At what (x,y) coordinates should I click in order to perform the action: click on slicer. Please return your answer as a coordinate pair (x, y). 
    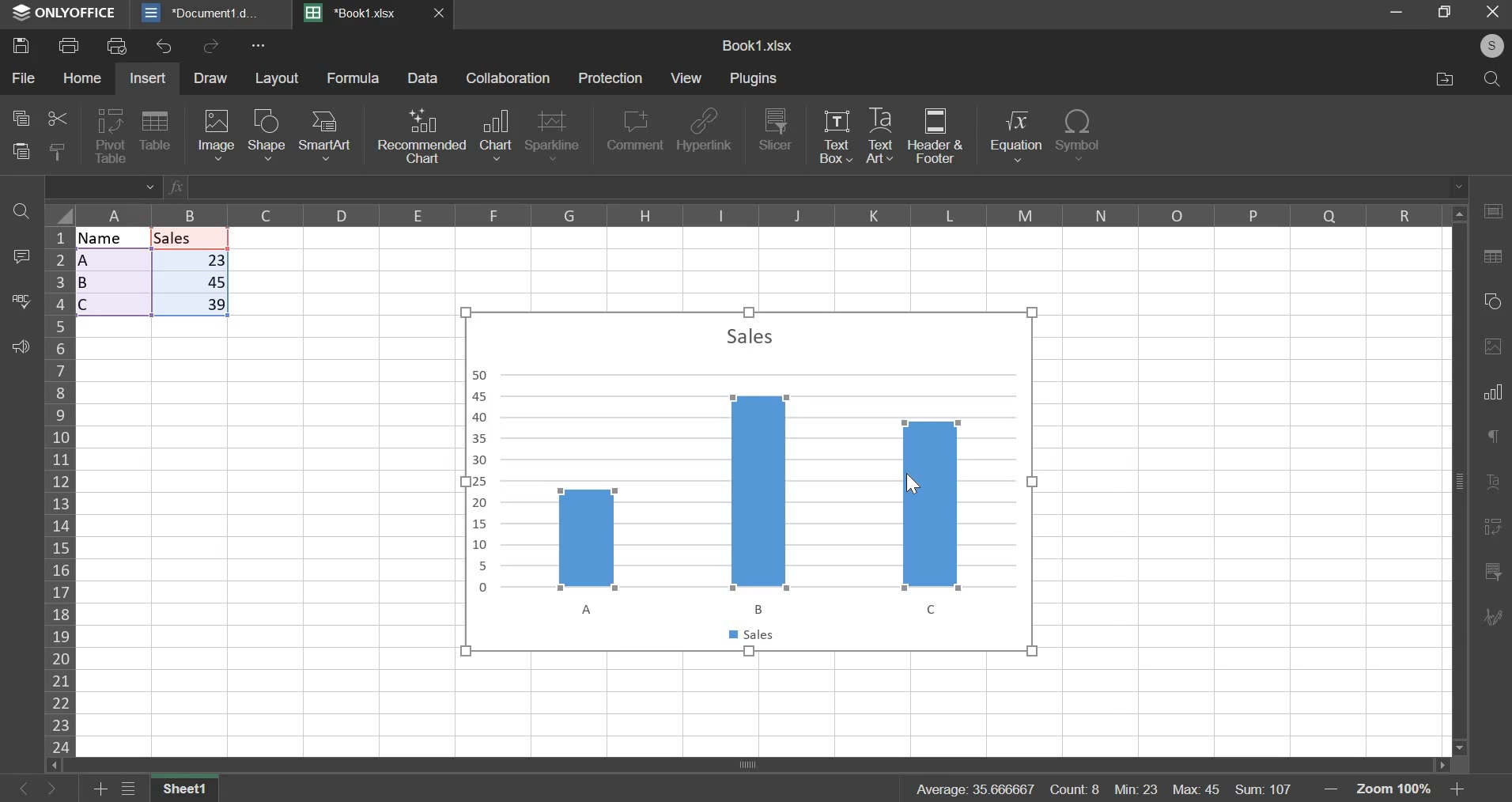
    Looking at the image, I should click on (774, 130).